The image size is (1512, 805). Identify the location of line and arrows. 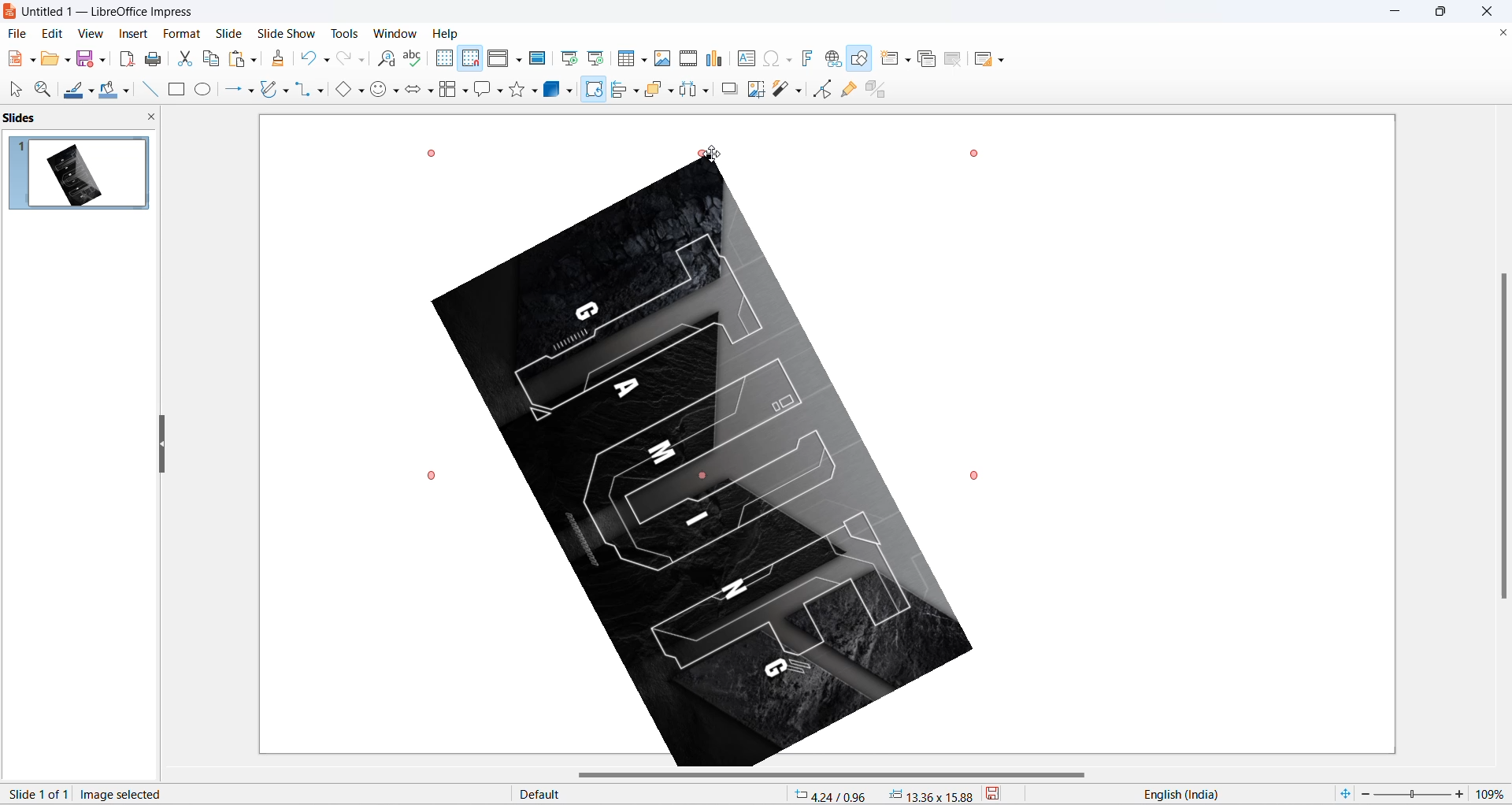
(230, 90).